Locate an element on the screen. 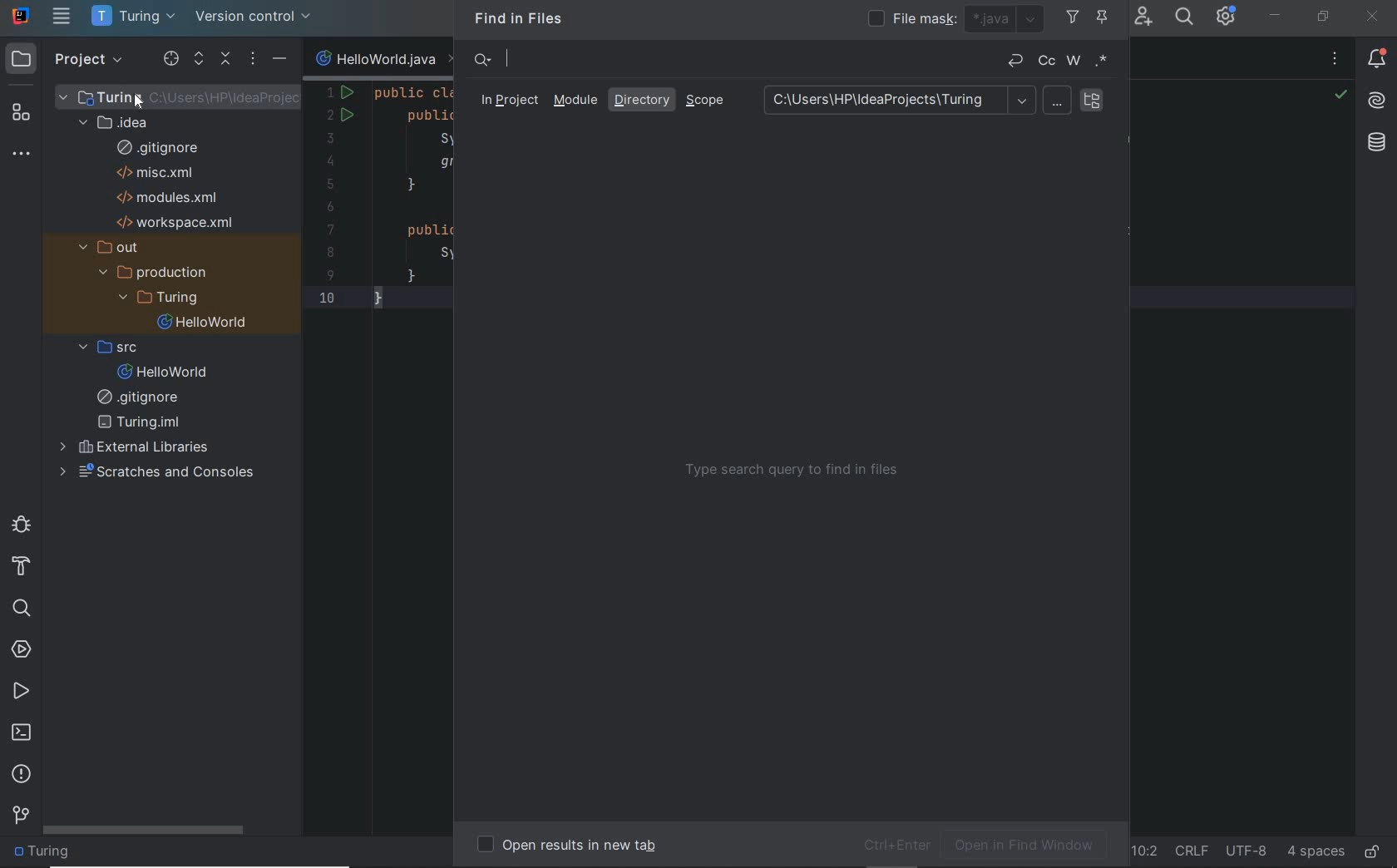 Image resolution: width=1397 pixels, height=868 pixels. MINIMIZE is located at coordinates (1276, 16).